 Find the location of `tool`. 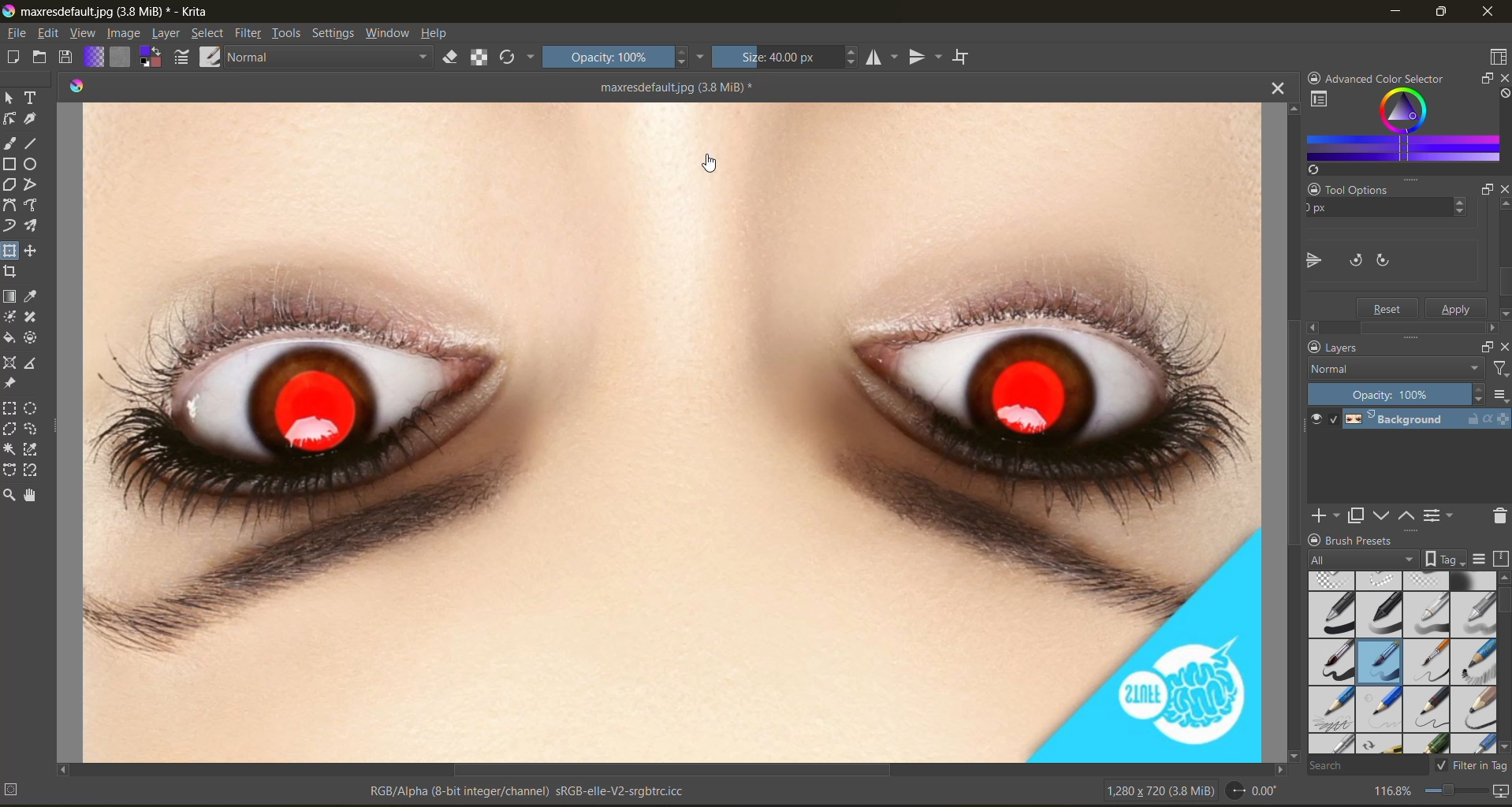

tool is located at coordinates (11, 119).